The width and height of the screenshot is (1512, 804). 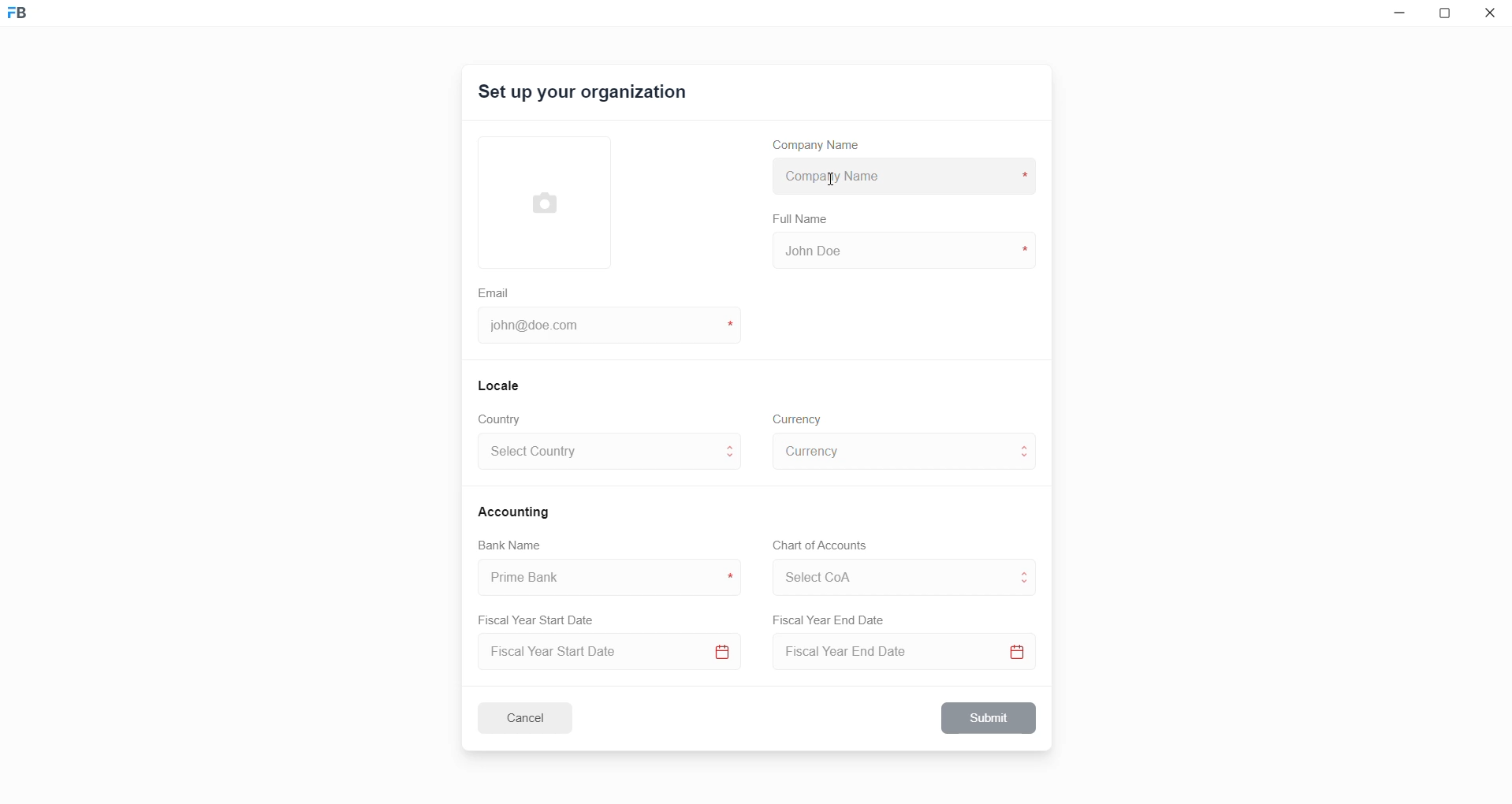 What do you see at coordinates (1396, 17) in the screenshot?
I see `minimize` at bounding box center [1396, 17].